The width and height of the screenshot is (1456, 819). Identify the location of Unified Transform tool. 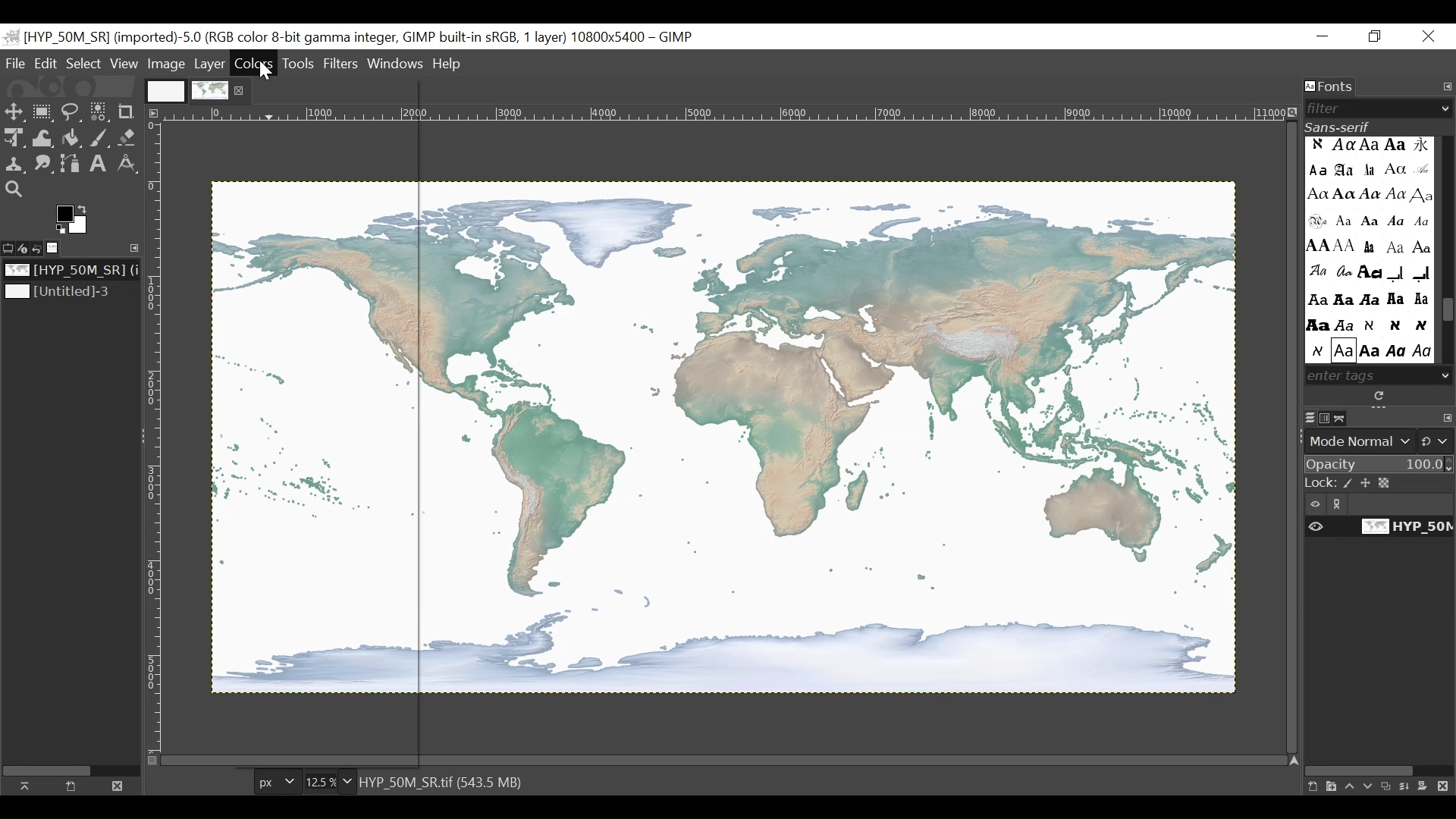
(12, 137).